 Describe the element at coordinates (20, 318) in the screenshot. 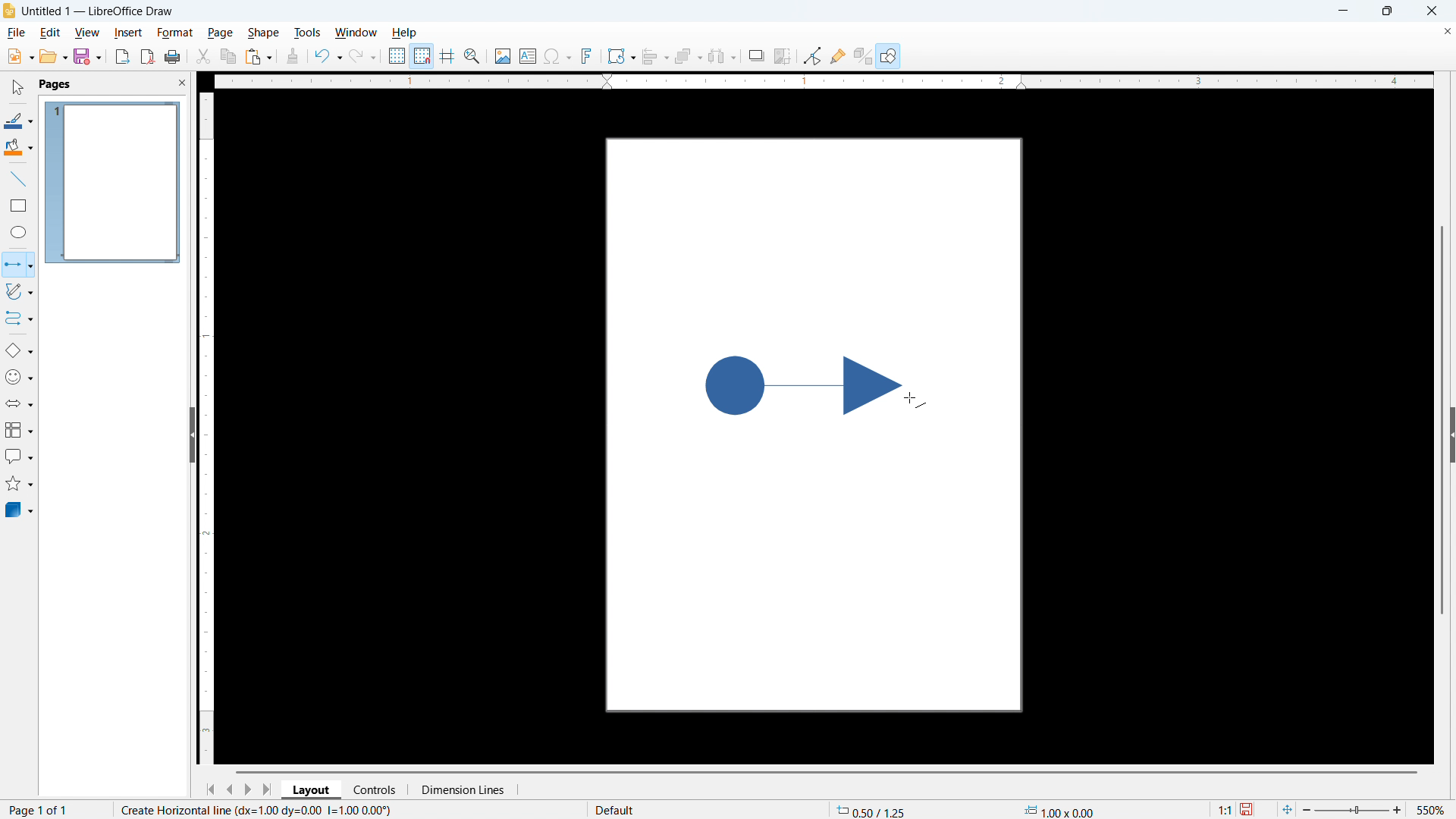

I see `Connectors ` at that location.